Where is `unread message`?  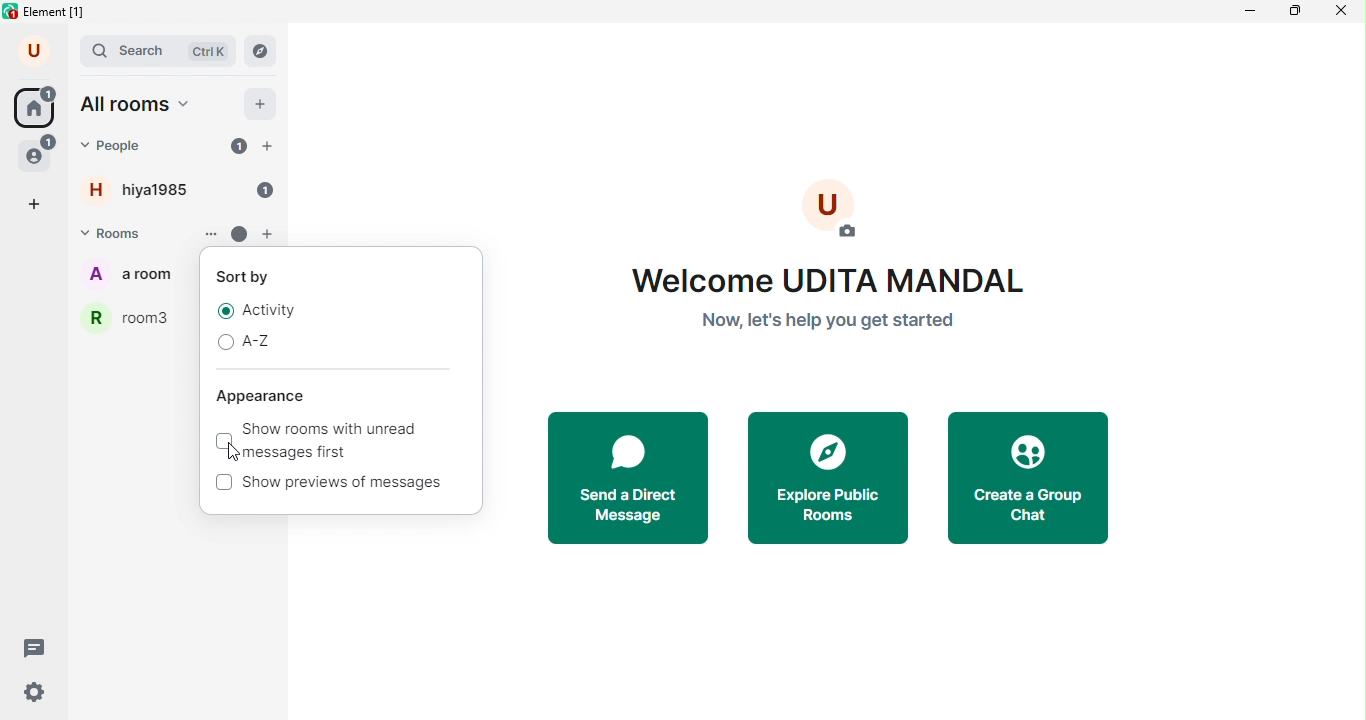
unread message is located at coordinates (240, 235).